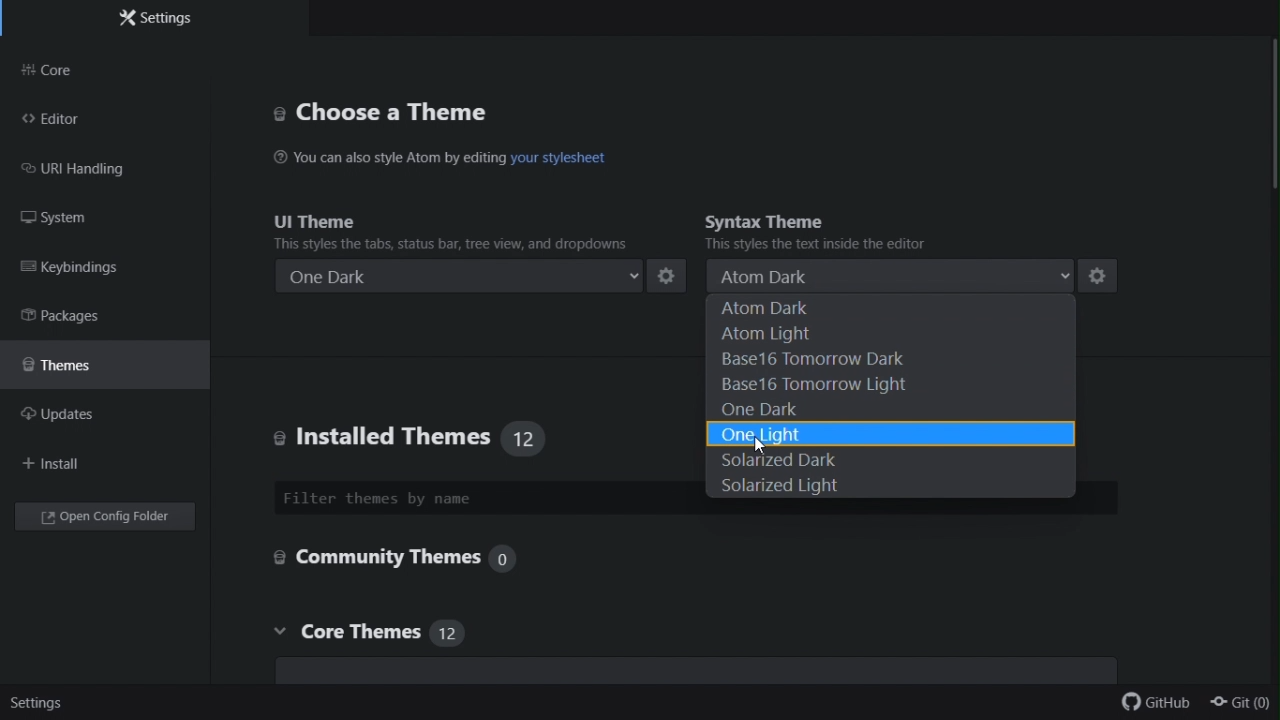 This screenshot has width=1280, height=720. What do you see at coordinates (889, 387) in the screenshot?
I see `Base 16 tomorrow light` at bounding box center [889, 387].